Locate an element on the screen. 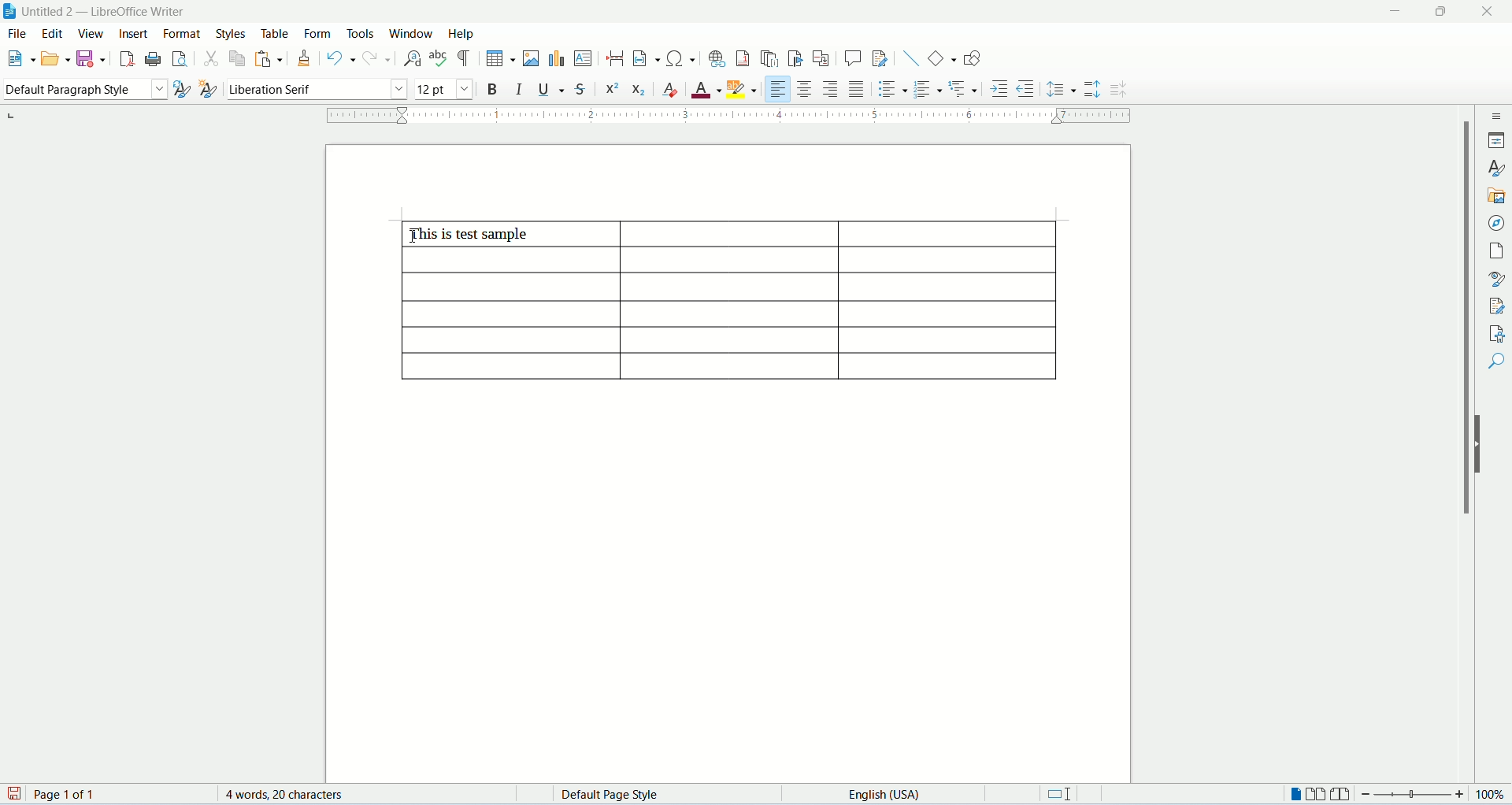  unordered list is located at coordinates (893, 88).